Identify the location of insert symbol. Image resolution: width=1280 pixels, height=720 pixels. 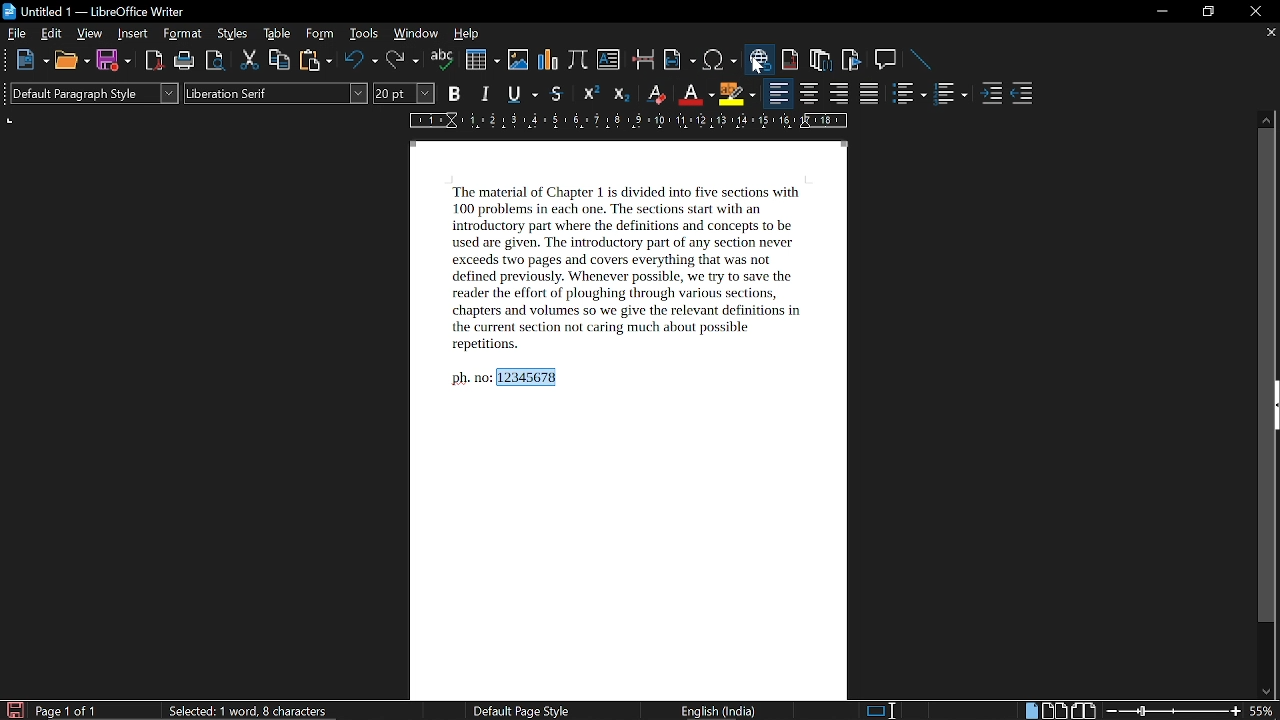
(718, 60).